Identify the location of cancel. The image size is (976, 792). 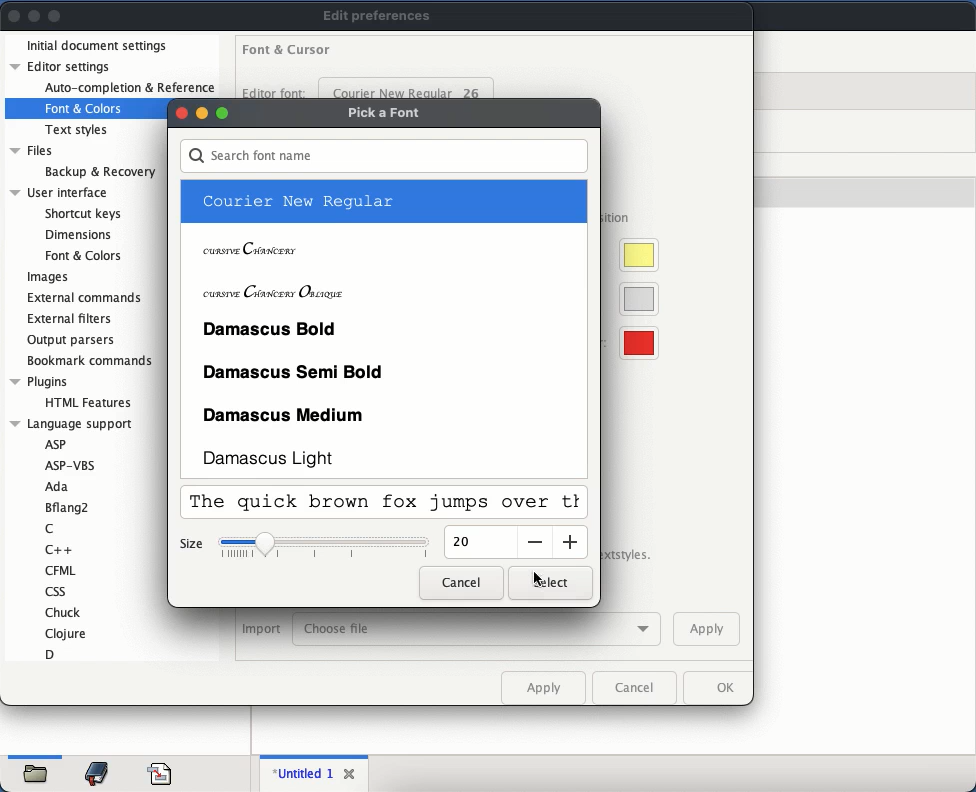
(459, 583).